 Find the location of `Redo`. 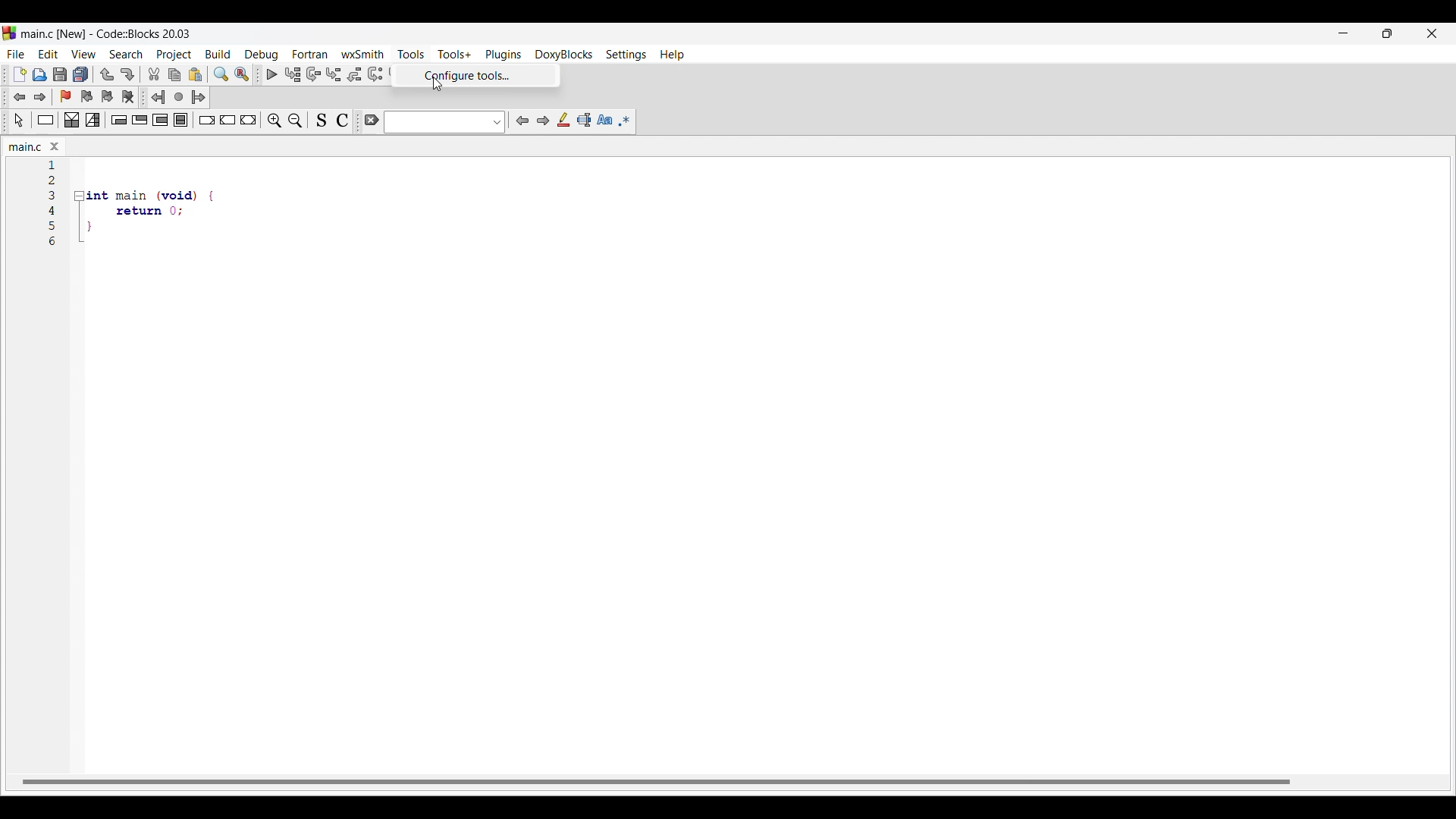

Redo is located at coordinates (127, 74).